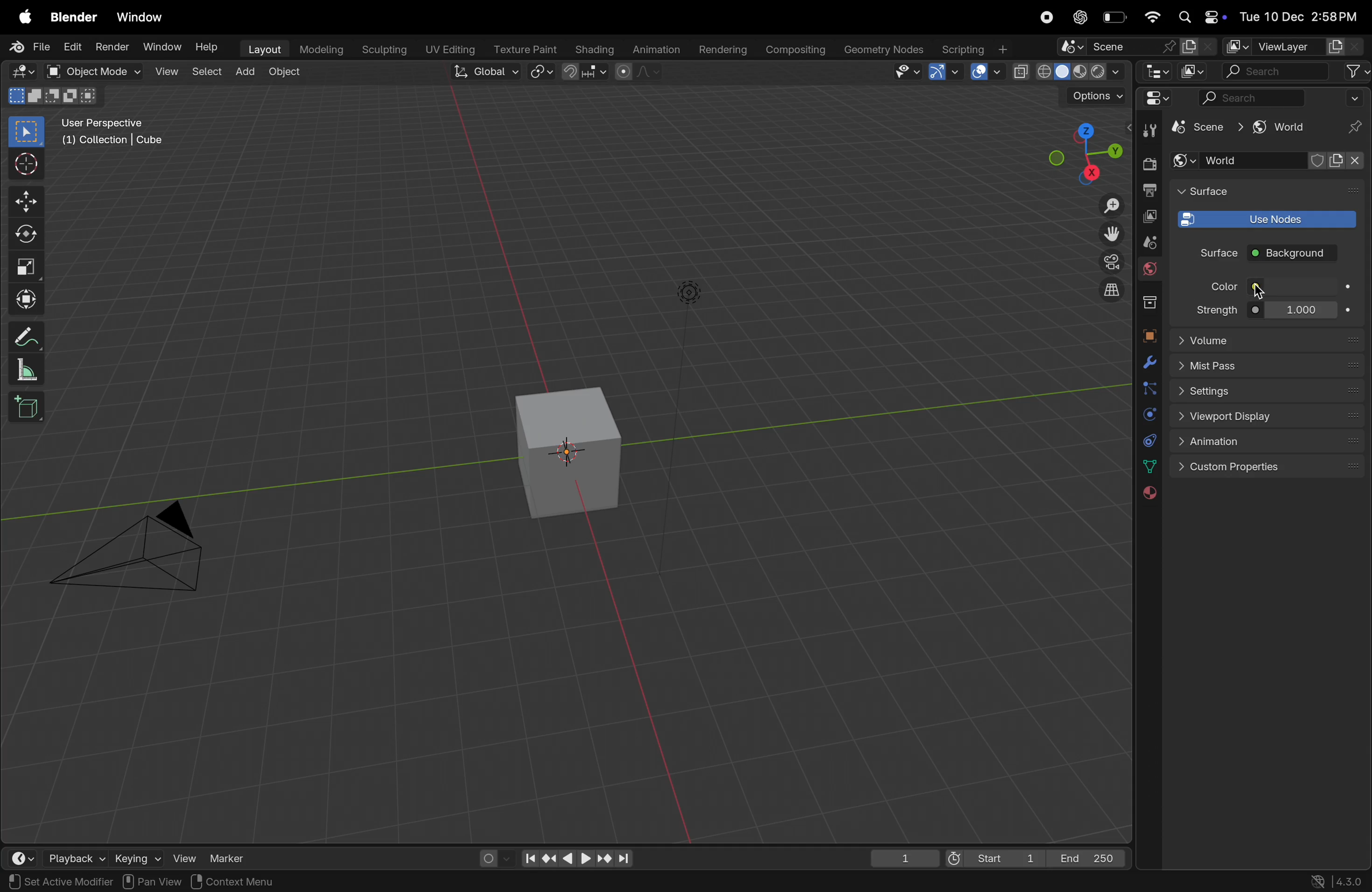 The image size is (1372, 892). Describe the element at coordinates (573, 855) in the screenshot. I see `playback controls` at that location.